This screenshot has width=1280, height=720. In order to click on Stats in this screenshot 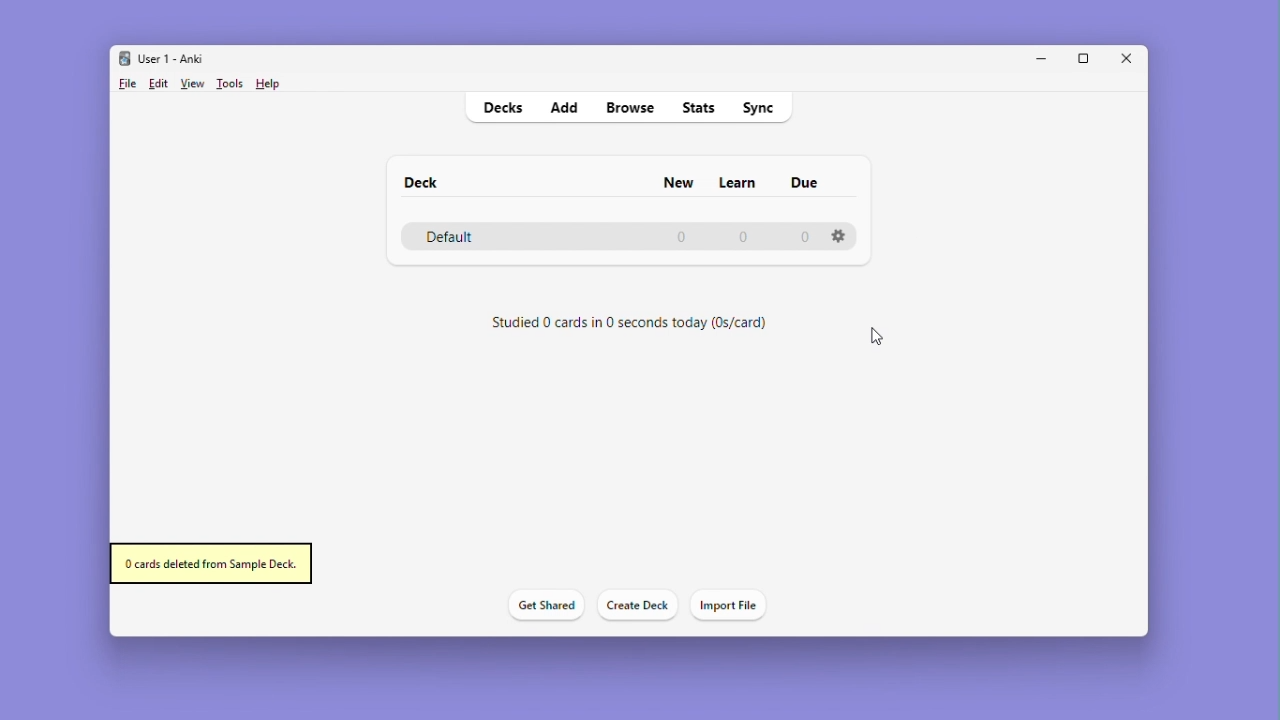, I will do `click(701, 107)`.